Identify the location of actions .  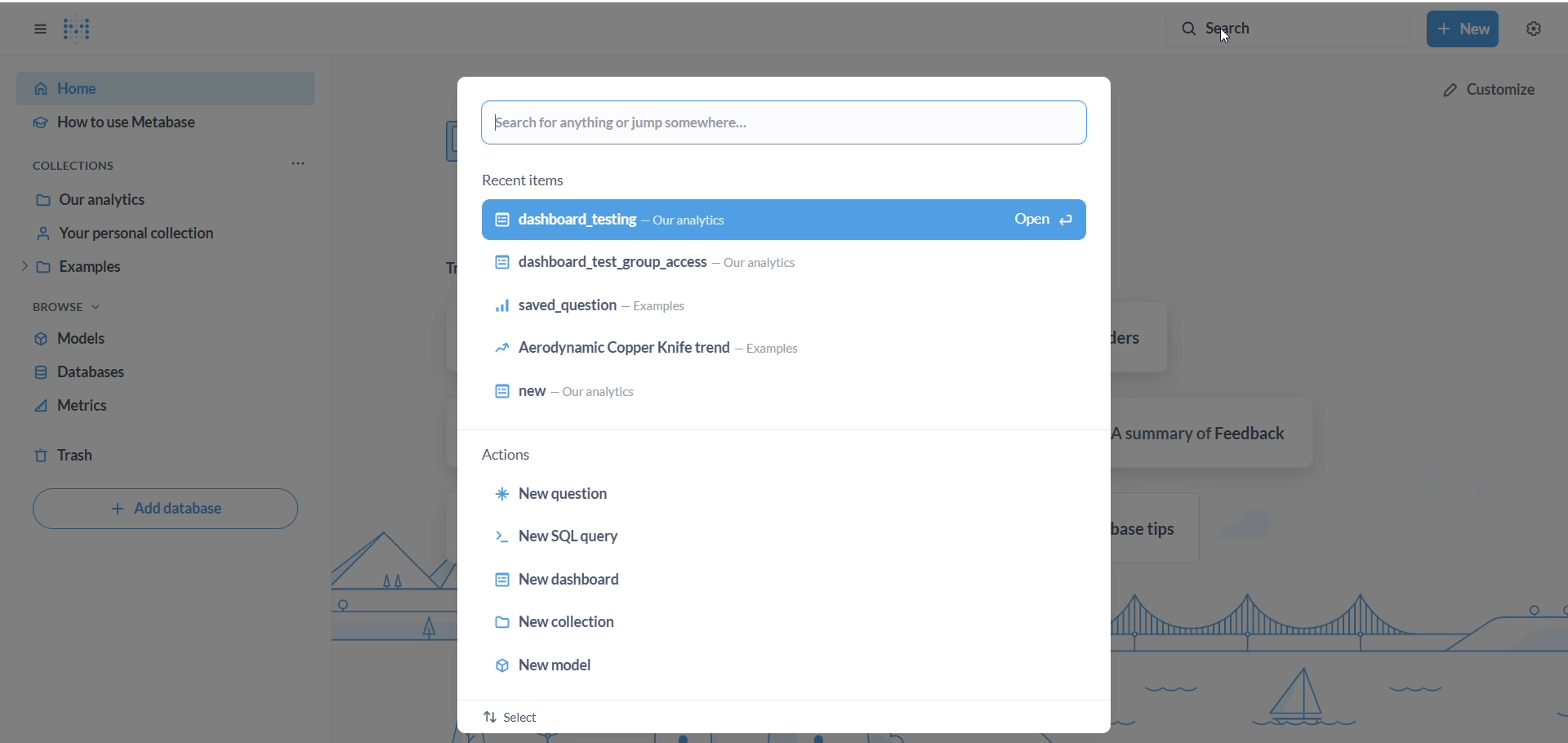
(514, 454).